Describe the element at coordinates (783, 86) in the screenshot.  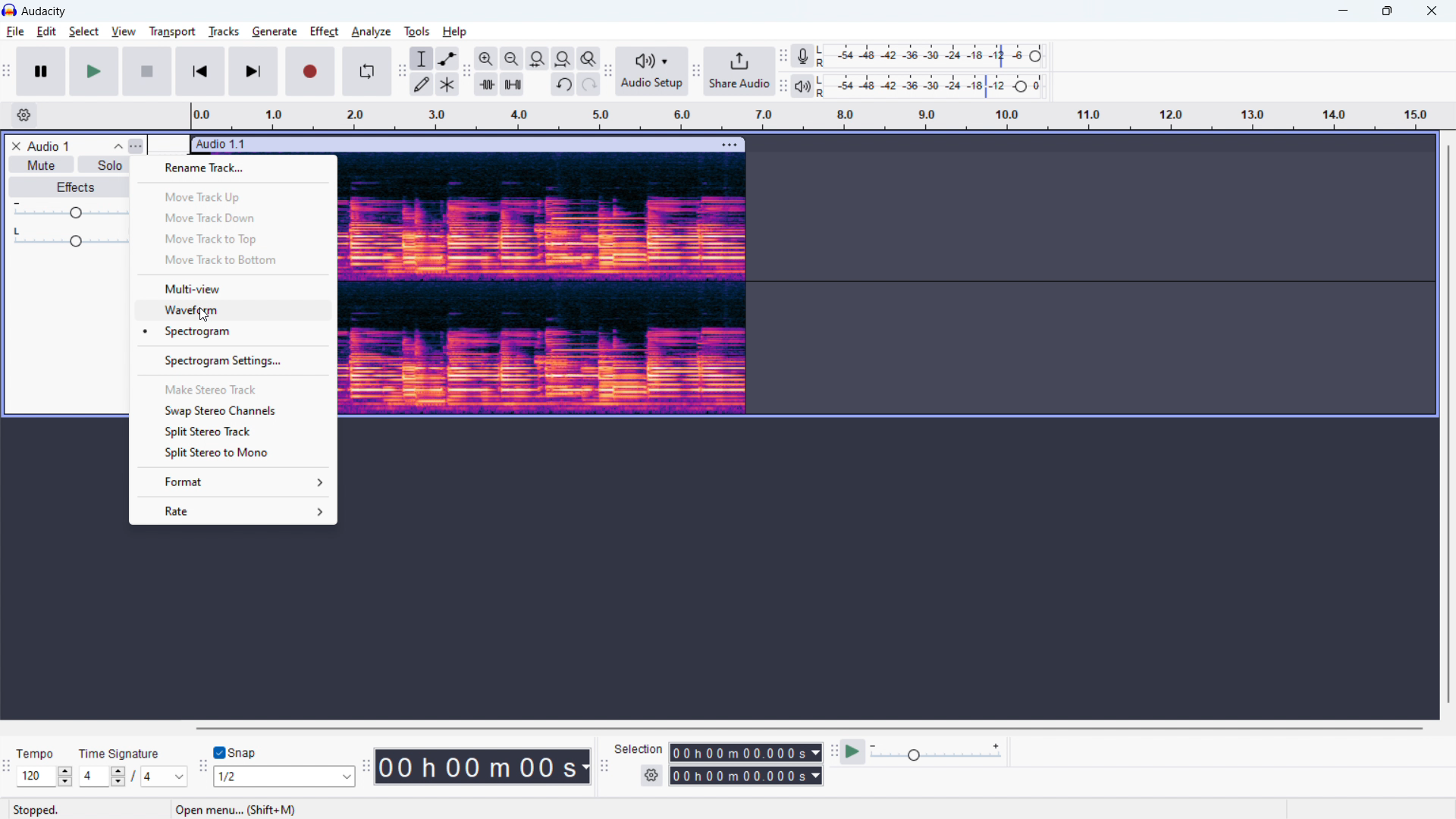
I see `playback meter toolbar` at that location.